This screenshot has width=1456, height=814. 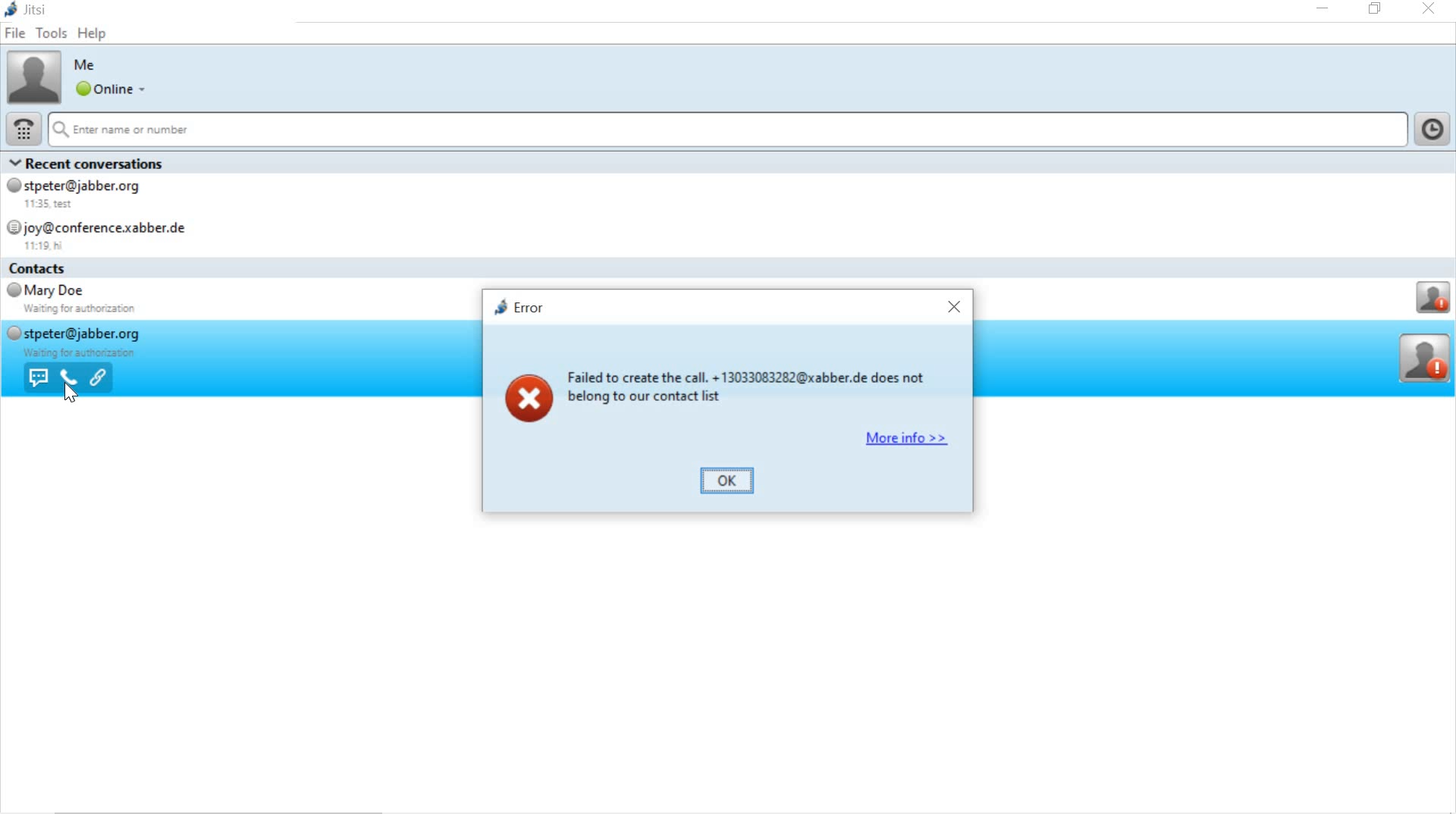 What do you see at coordinates (1426, 358) in the screenshot?
I see `profile` at bounding box center [1426, 358].